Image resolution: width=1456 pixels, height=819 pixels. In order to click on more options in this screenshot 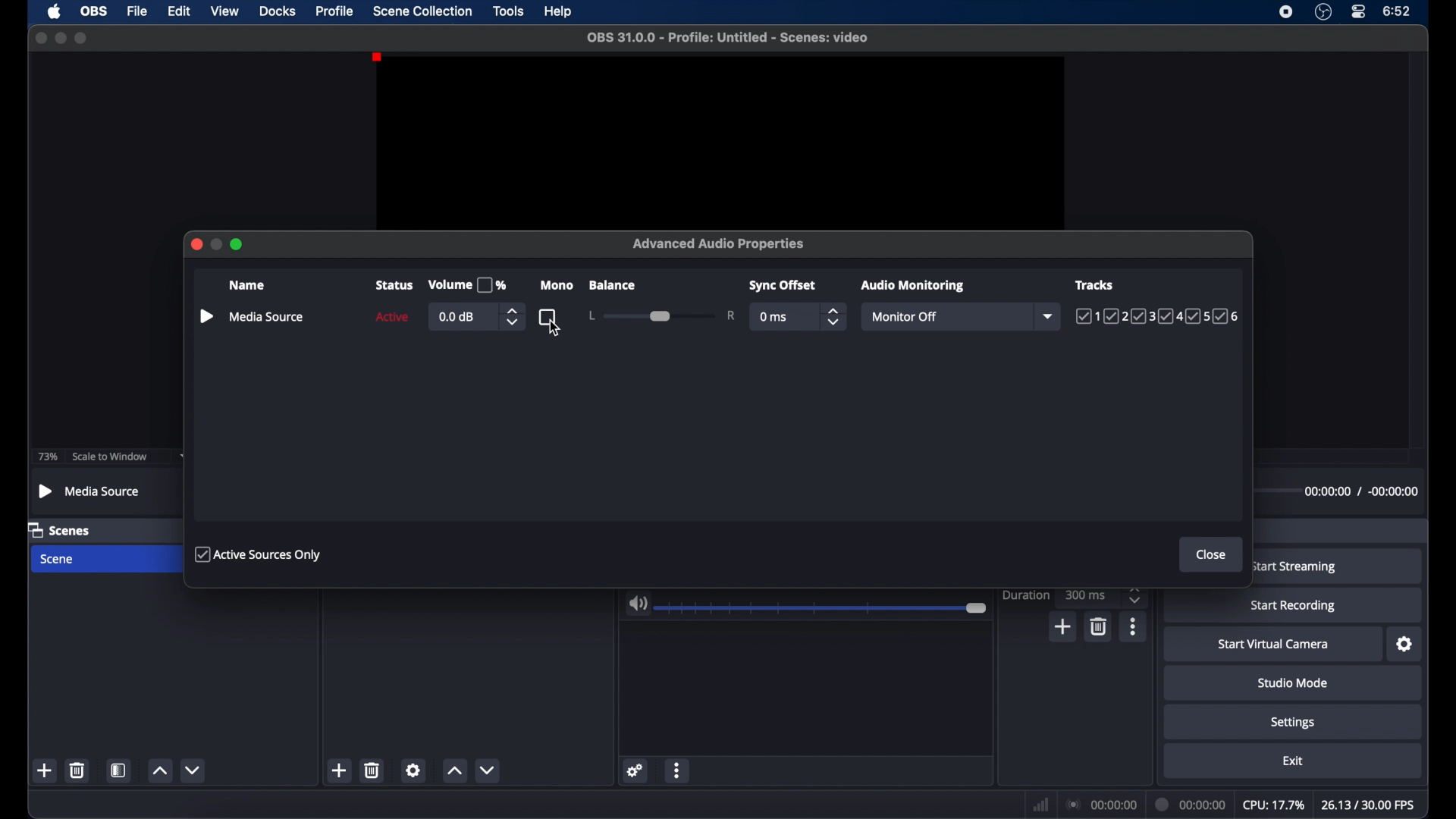, I will do `click(1133, 626)`.